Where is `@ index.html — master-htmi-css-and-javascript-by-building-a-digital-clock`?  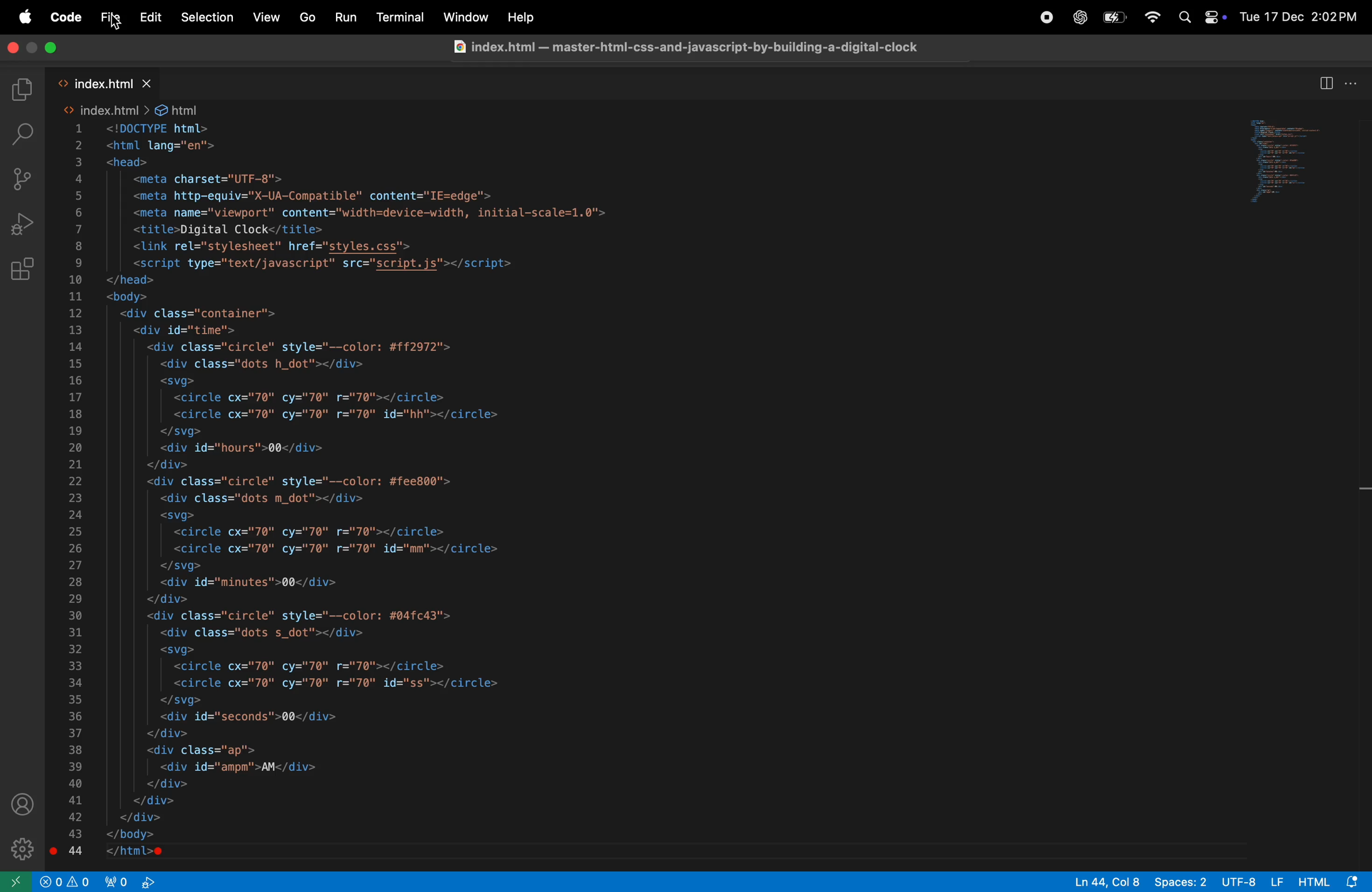
@ index.html — master-htmi-css-and-javascript-by-building-a-digital-clock is located at coordinates (684, 47).